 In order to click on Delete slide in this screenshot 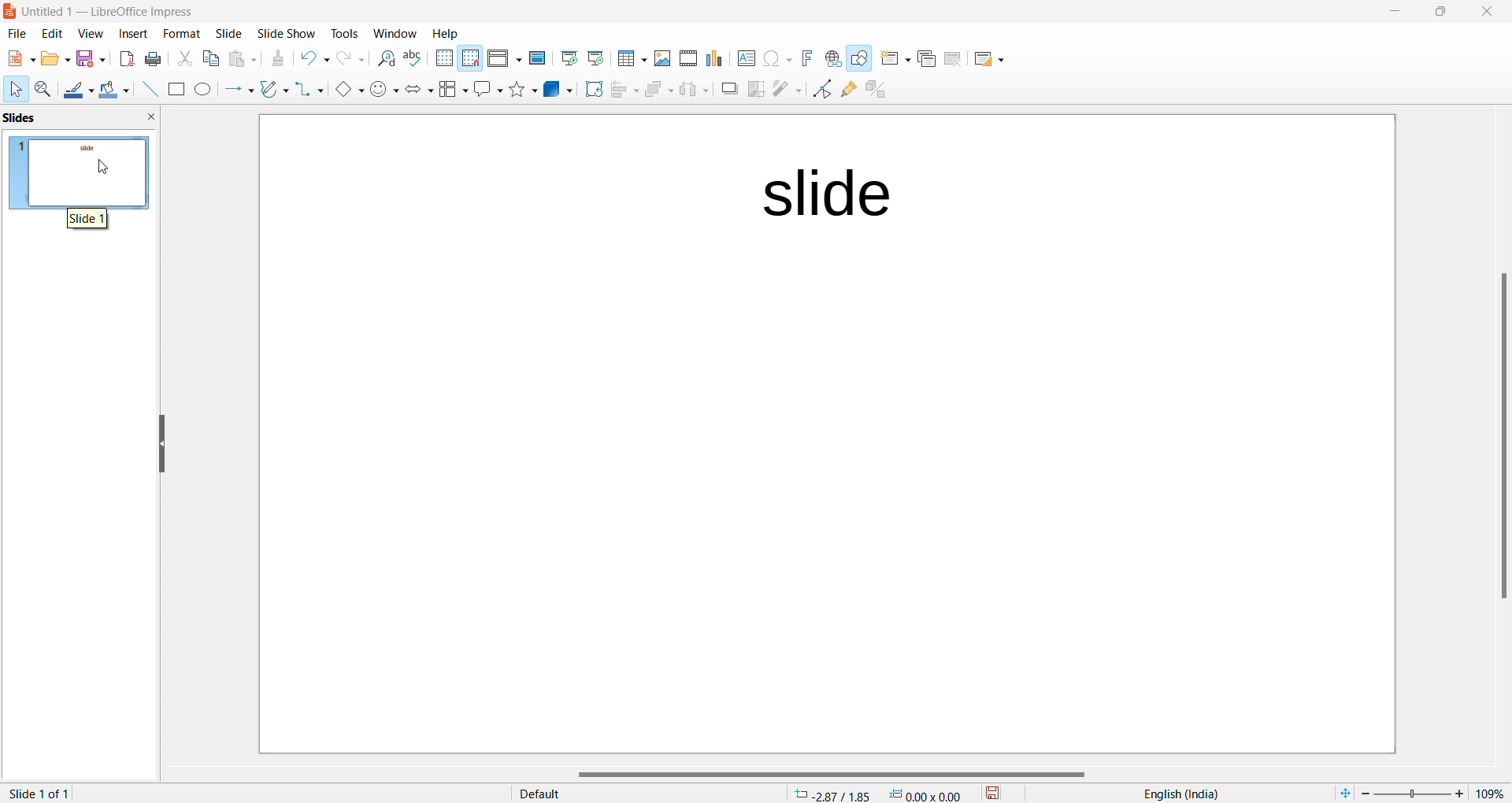, I will do `click(956, 58)`.